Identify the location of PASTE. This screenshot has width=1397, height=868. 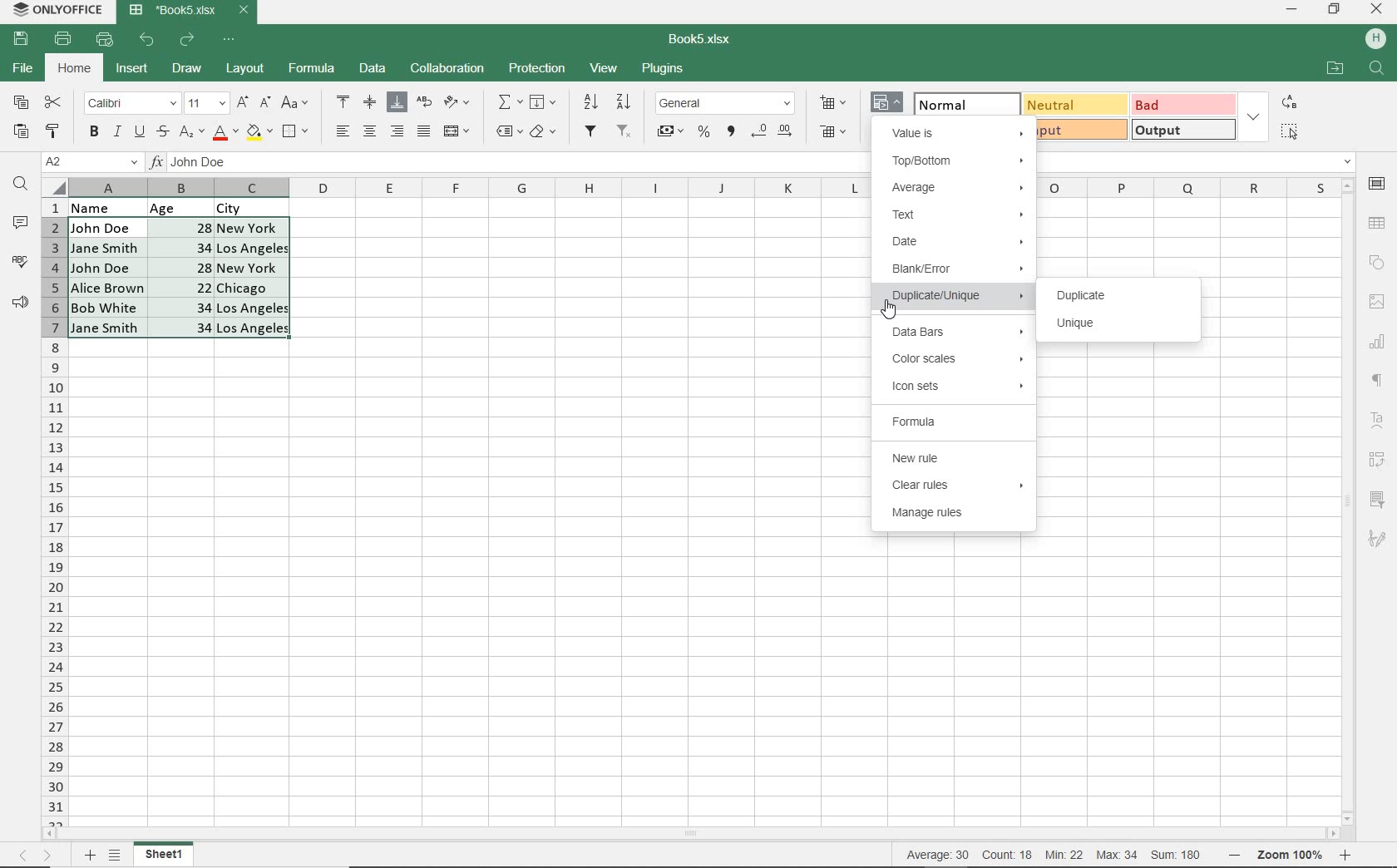
(21, 132).